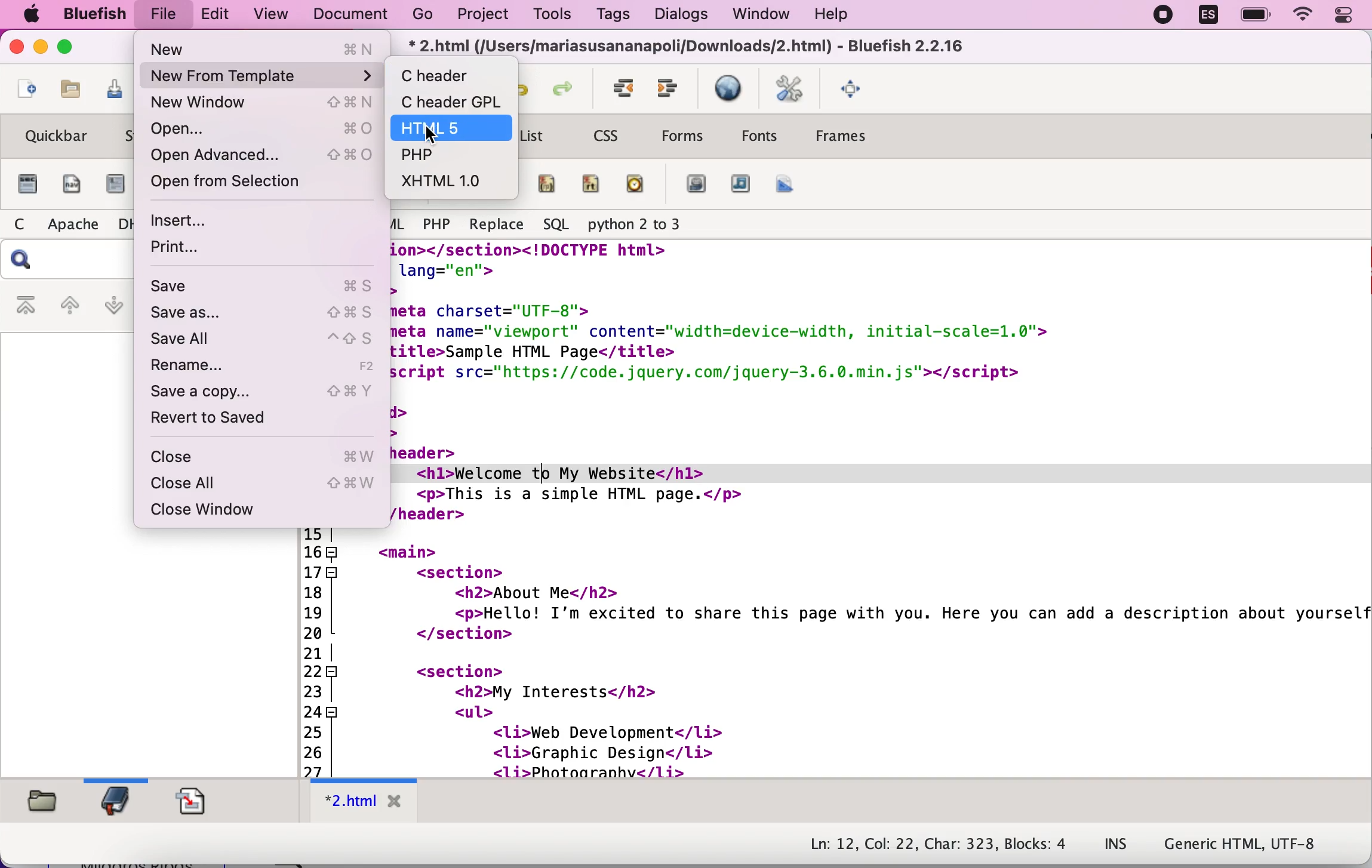 This screenshot has height=868, width=1372. I want to click on phyton 2 to 3, so click(638, 224).